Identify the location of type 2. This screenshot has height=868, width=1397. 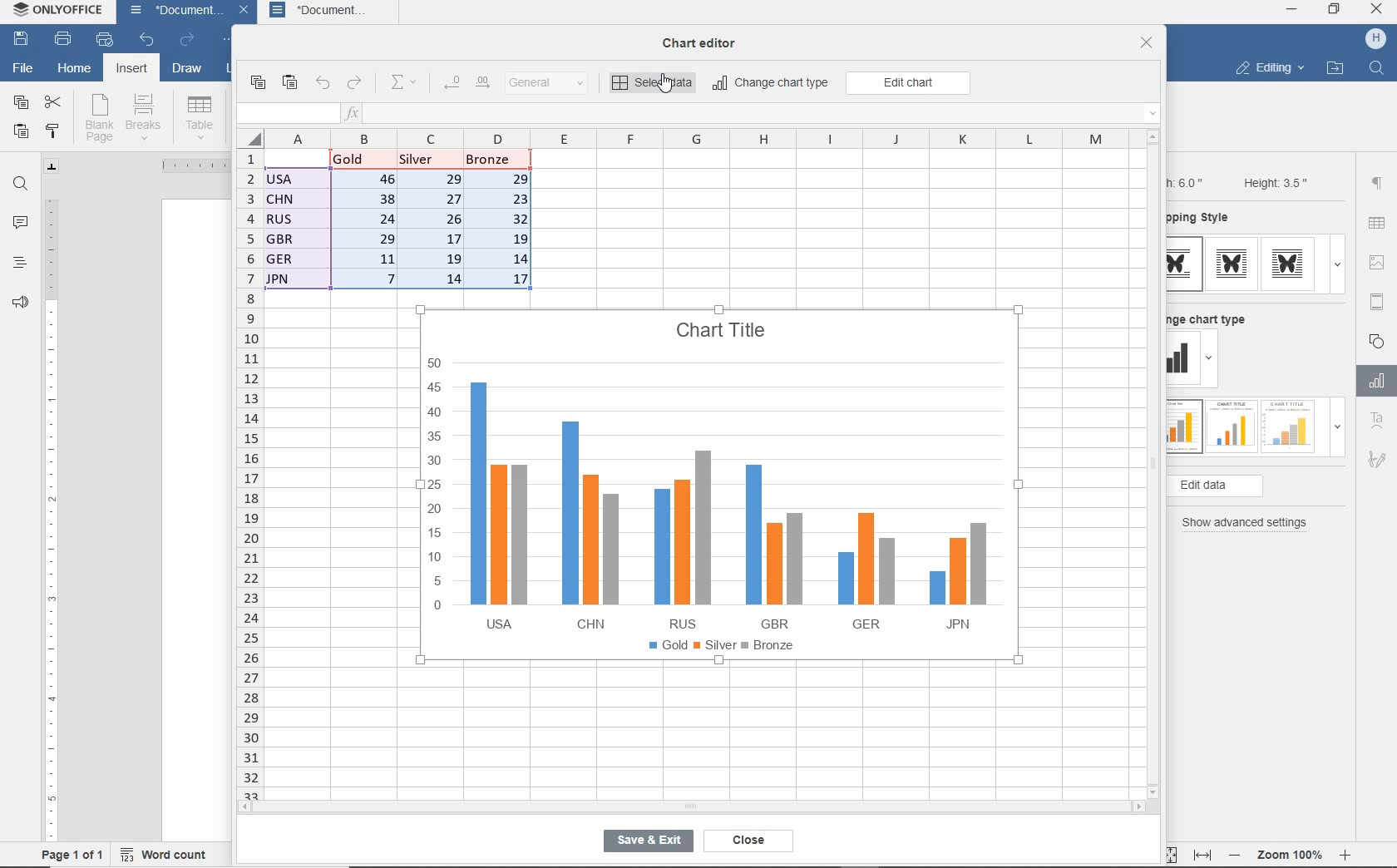
(1232, 264).